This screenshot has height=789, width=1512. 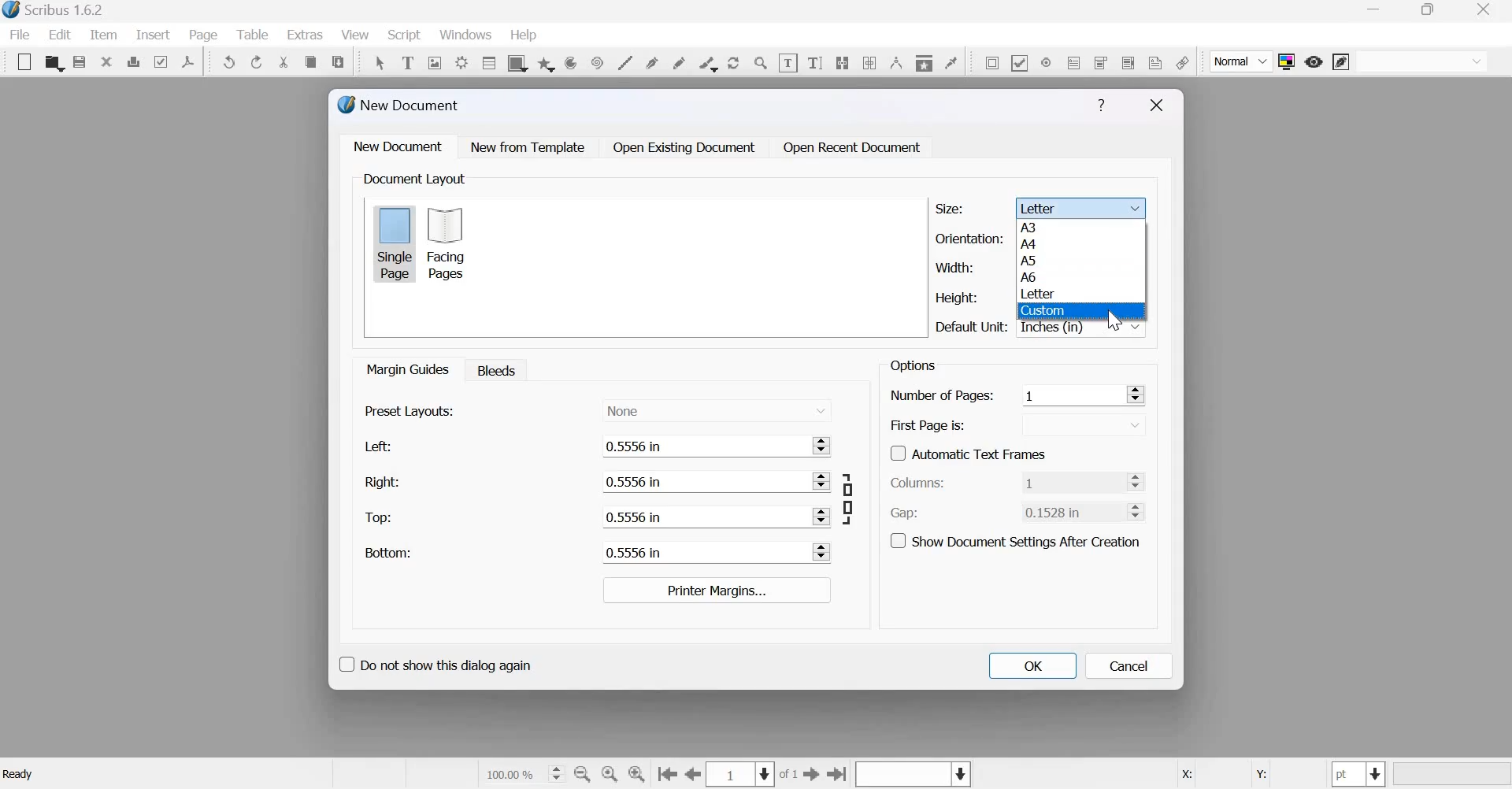 I want to click on Table, so click(x=254, y=35).